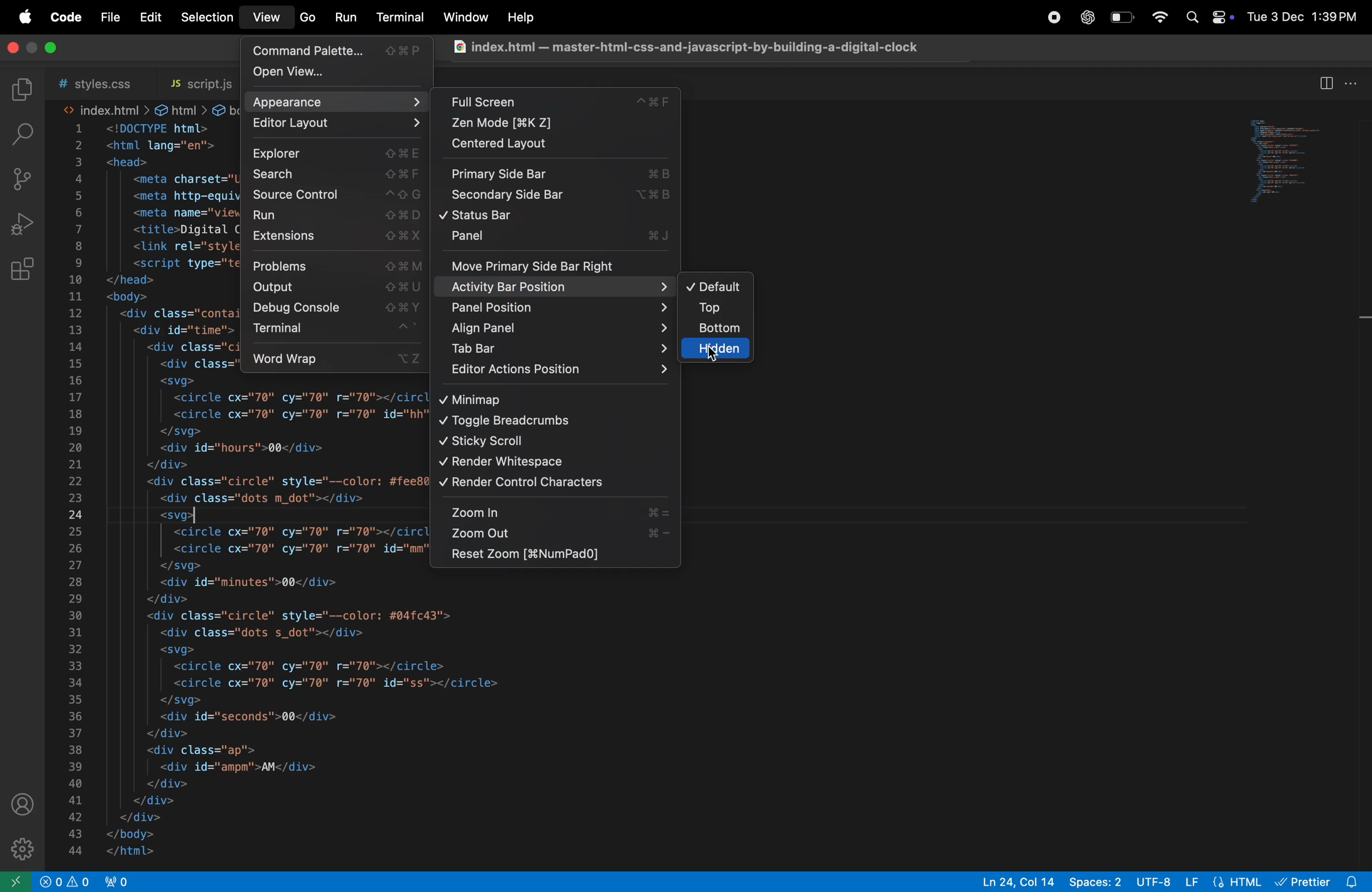  I want to click on search, so click(331, 175).